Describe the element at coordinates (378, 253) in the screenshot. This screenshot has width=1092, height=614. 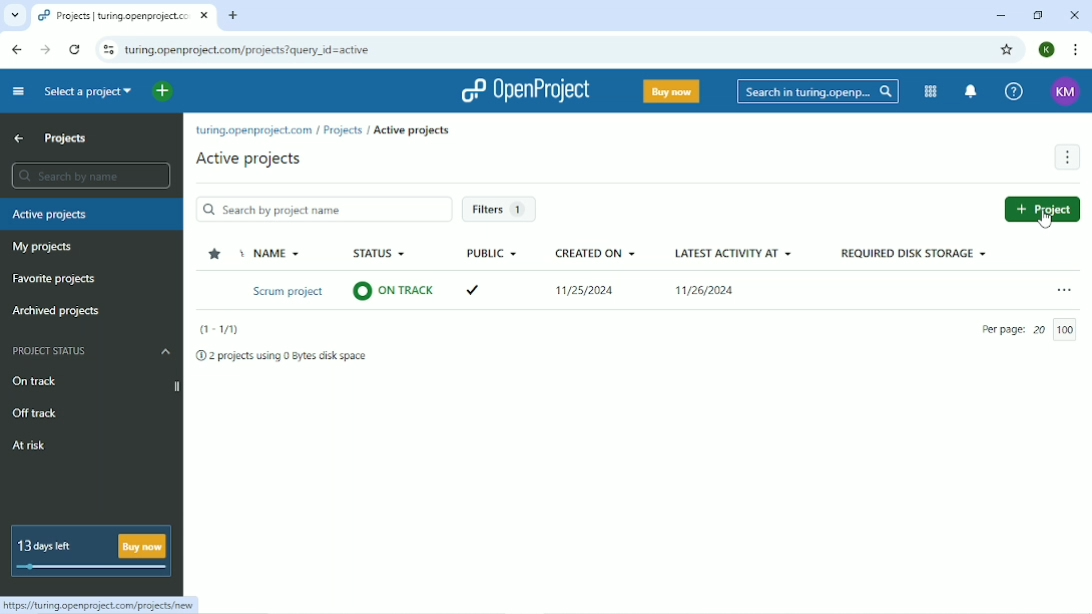
I see `Status` at that location.